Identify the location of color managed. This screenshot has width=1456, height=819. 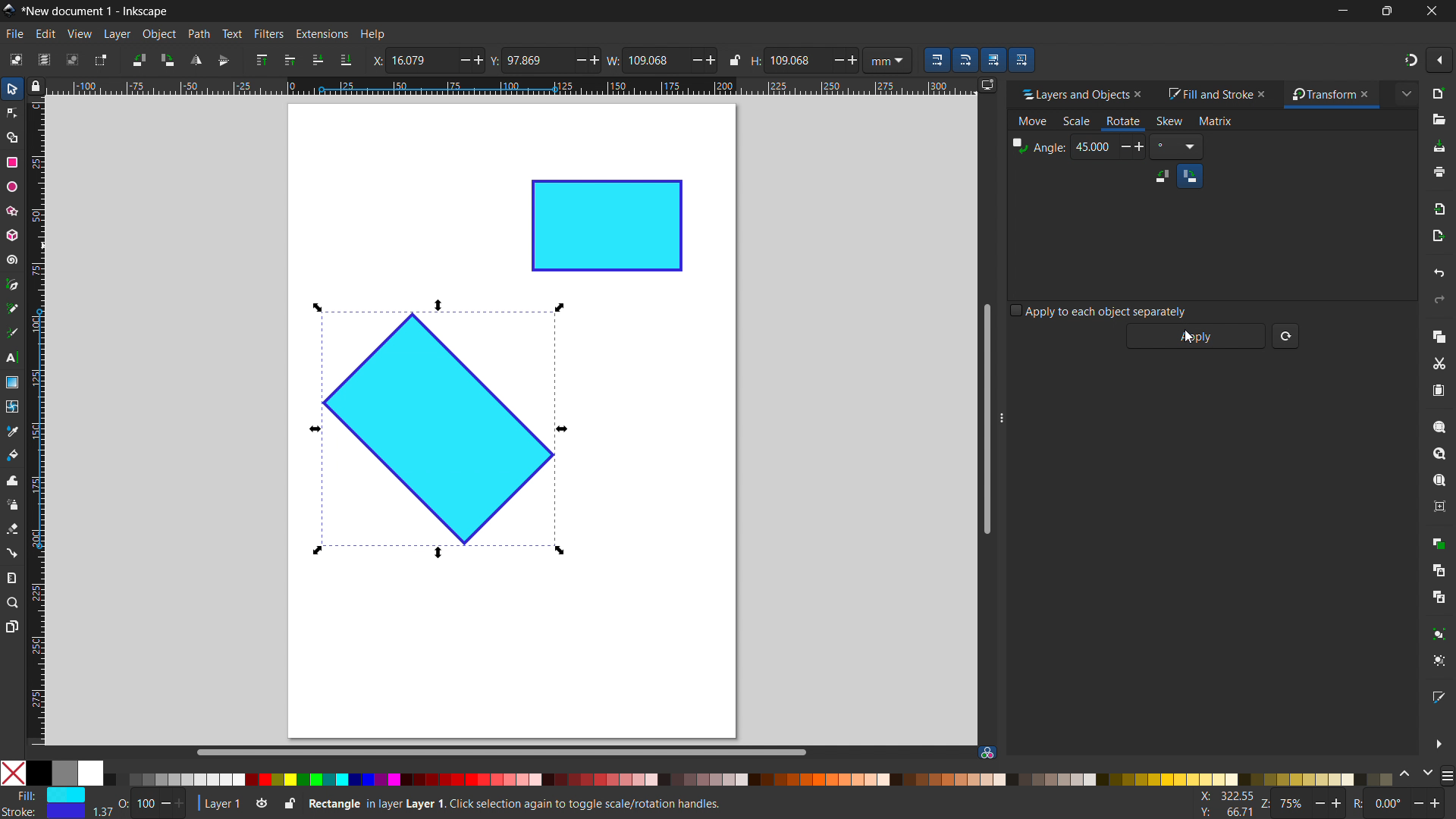
(987, 752).